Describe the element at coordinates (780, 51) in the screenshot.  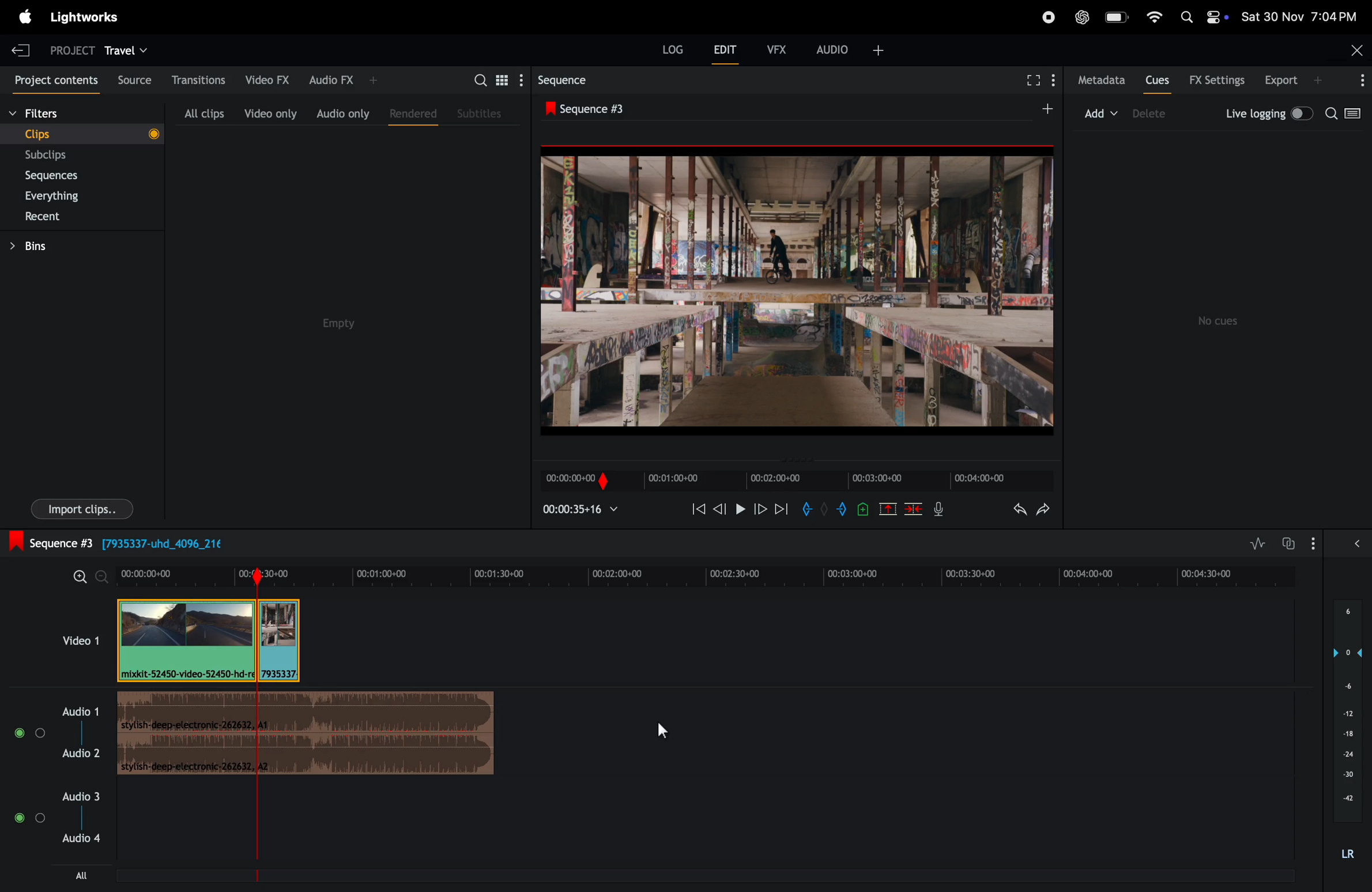
I see `vfx` at that location.